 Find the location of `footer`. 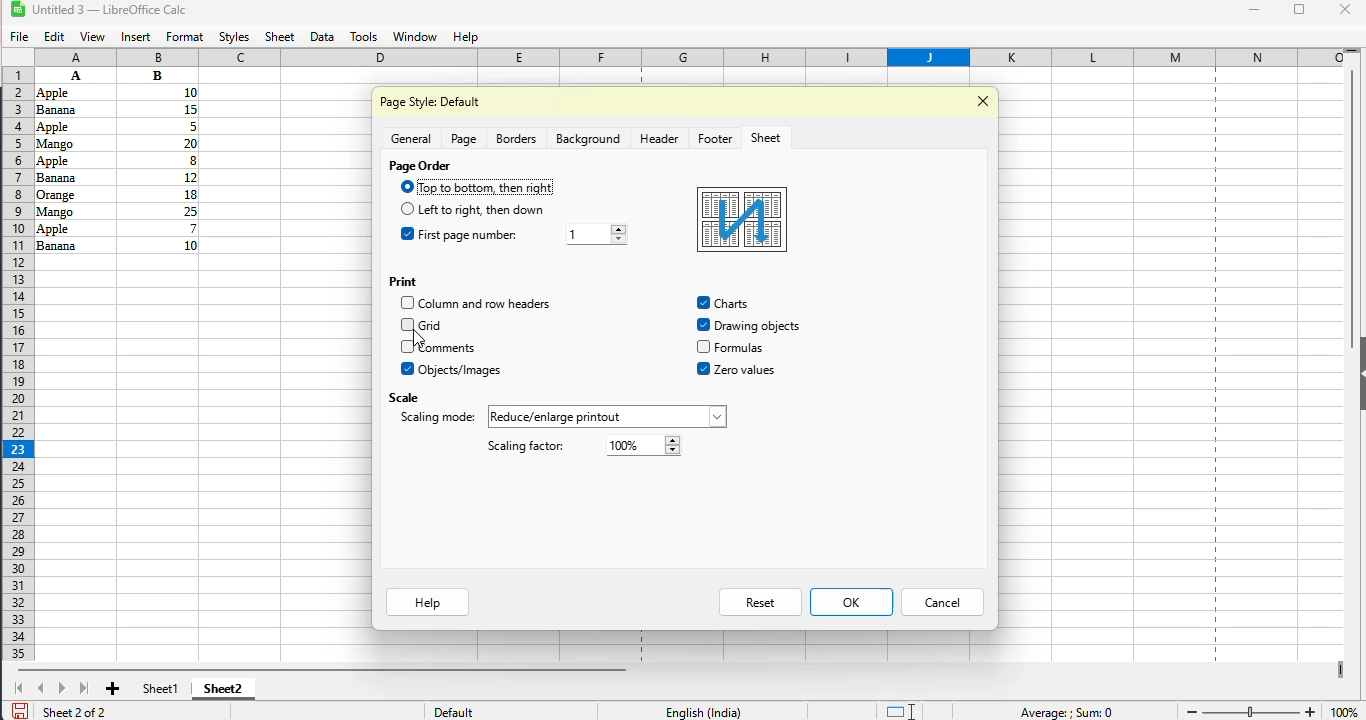

footer is located at coordinates (715, 138).